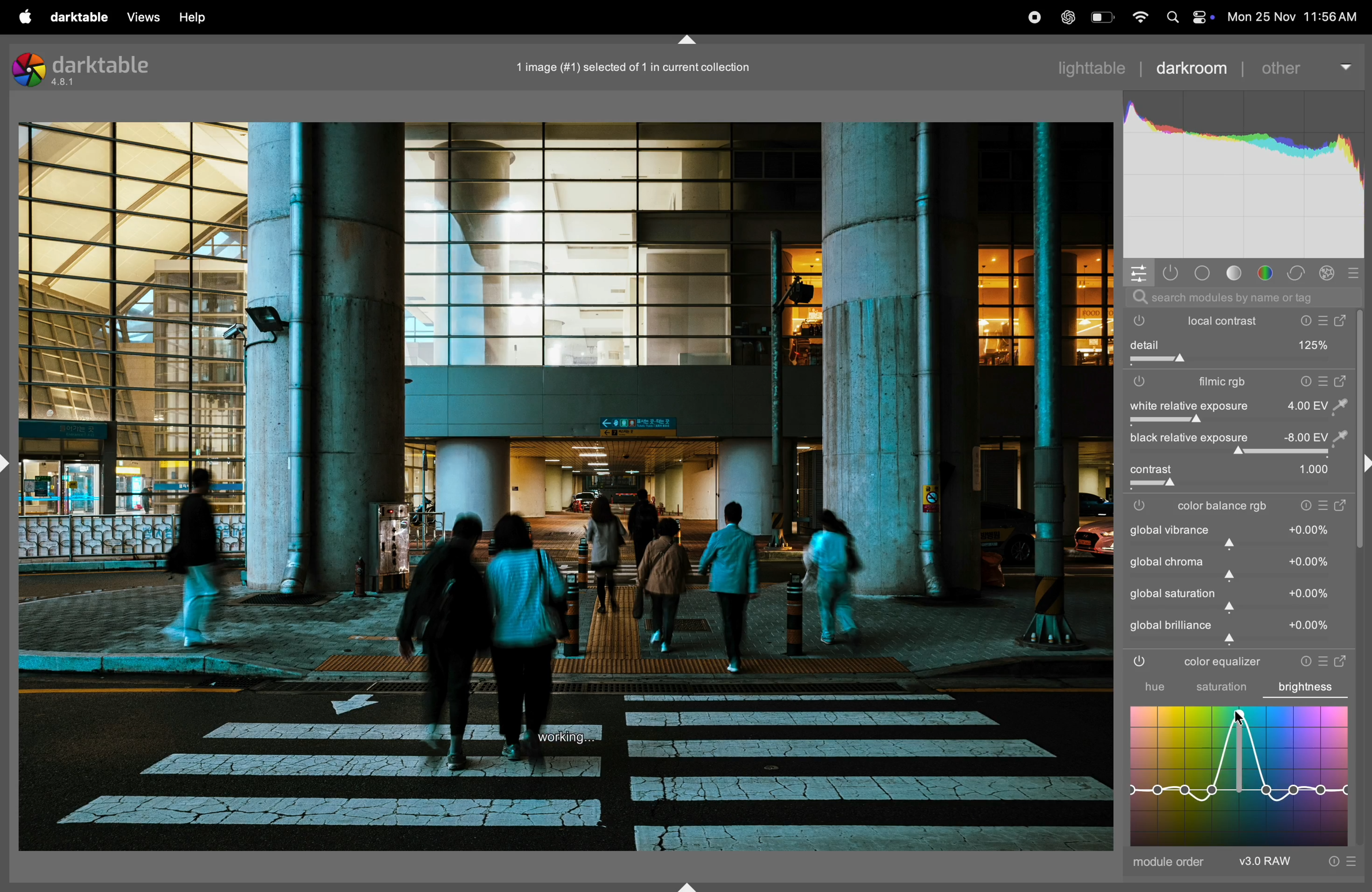  What do you see at coordinates (1143, 506) in the screenshot?
I see `filmic rgb switch off` at bounding box center [1143, 506].